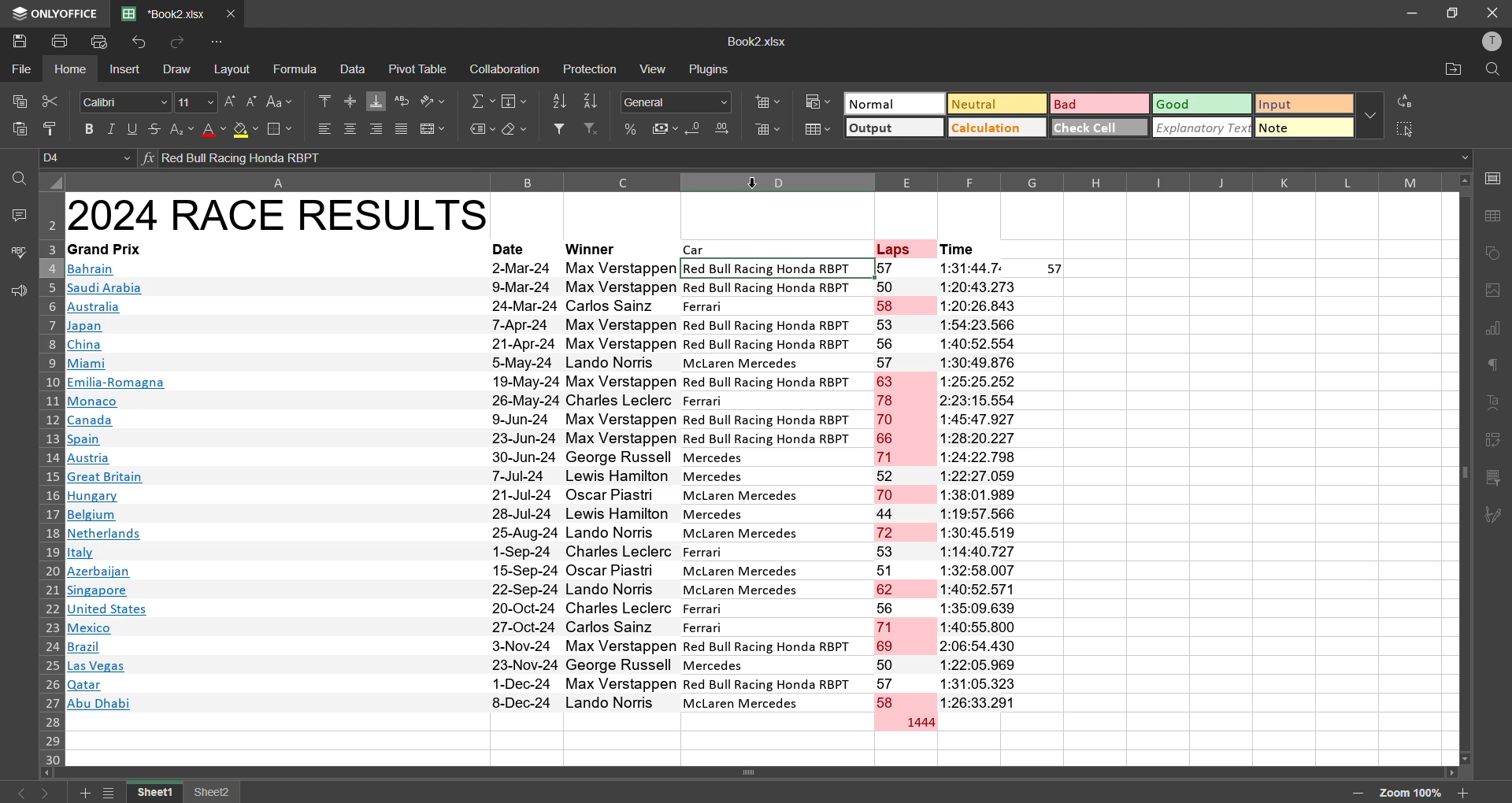  What do you see at coordinates (17, 793) in the screenshot?
I see `previous` at bounding box center [17, 793].